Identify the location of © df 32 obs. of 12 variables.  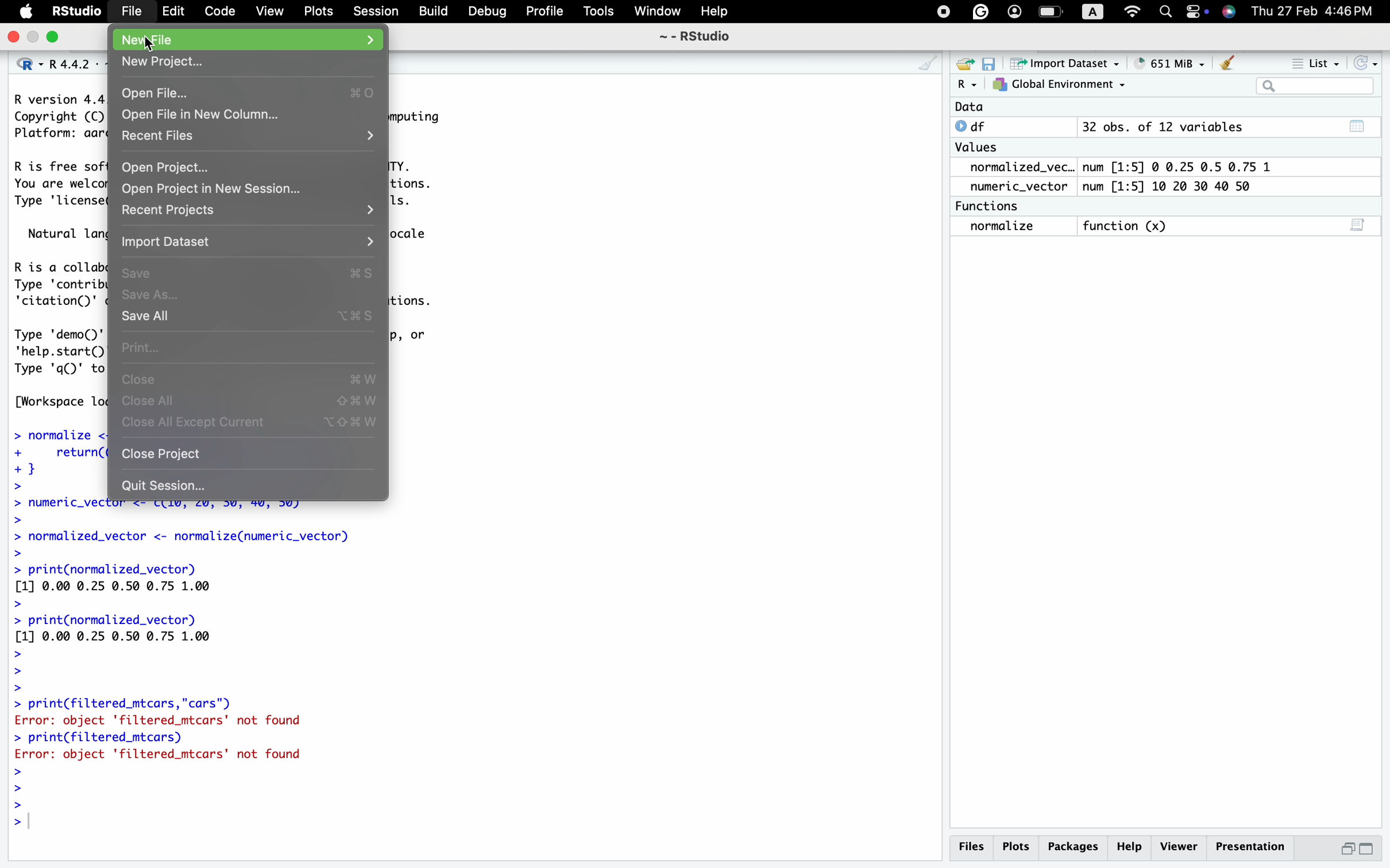
(1155, 126).